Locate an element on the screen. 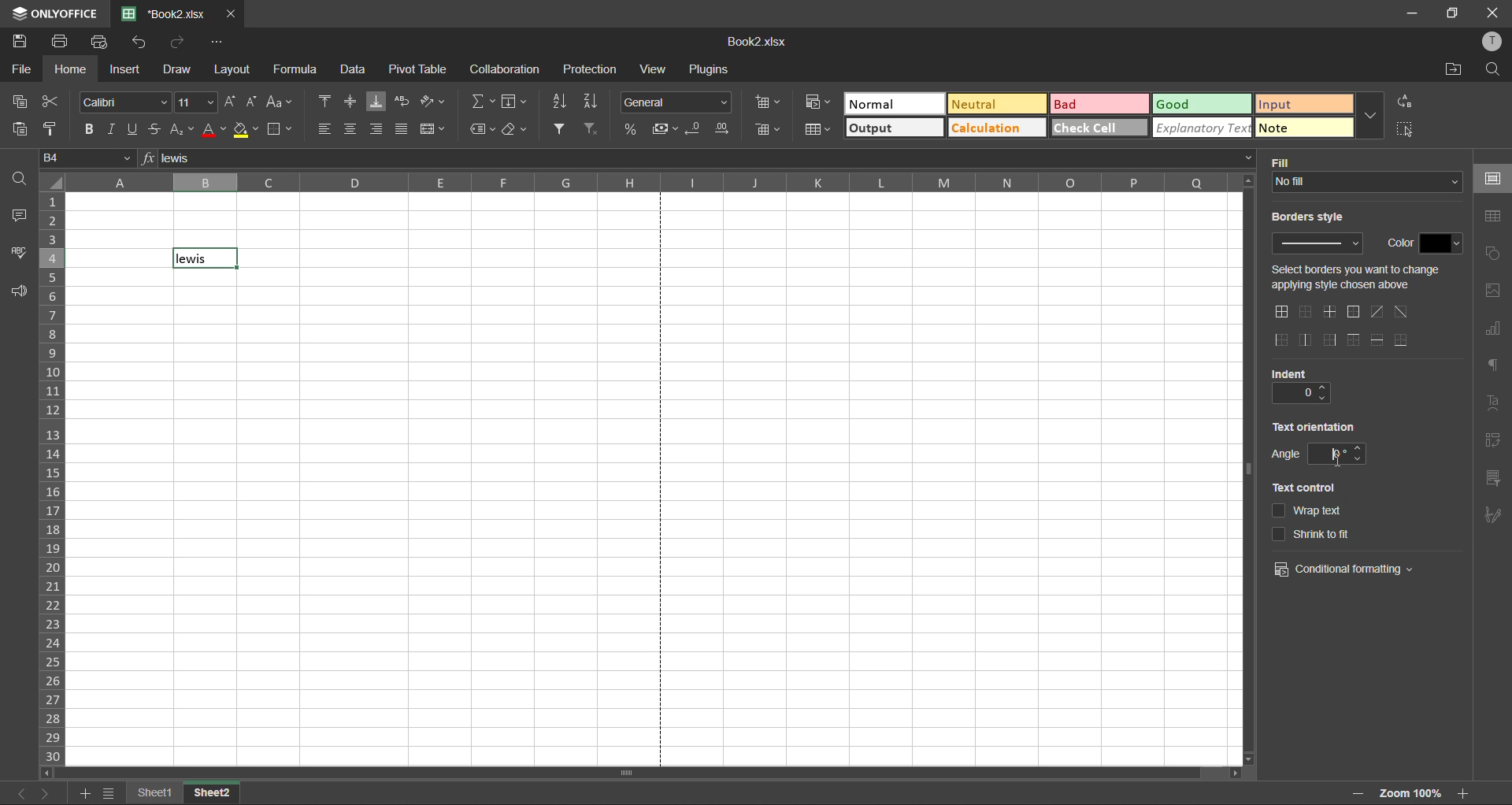 Image resolution: width=1512 pixels, height=805 pixels. percent is located at coordinates (633, 130).